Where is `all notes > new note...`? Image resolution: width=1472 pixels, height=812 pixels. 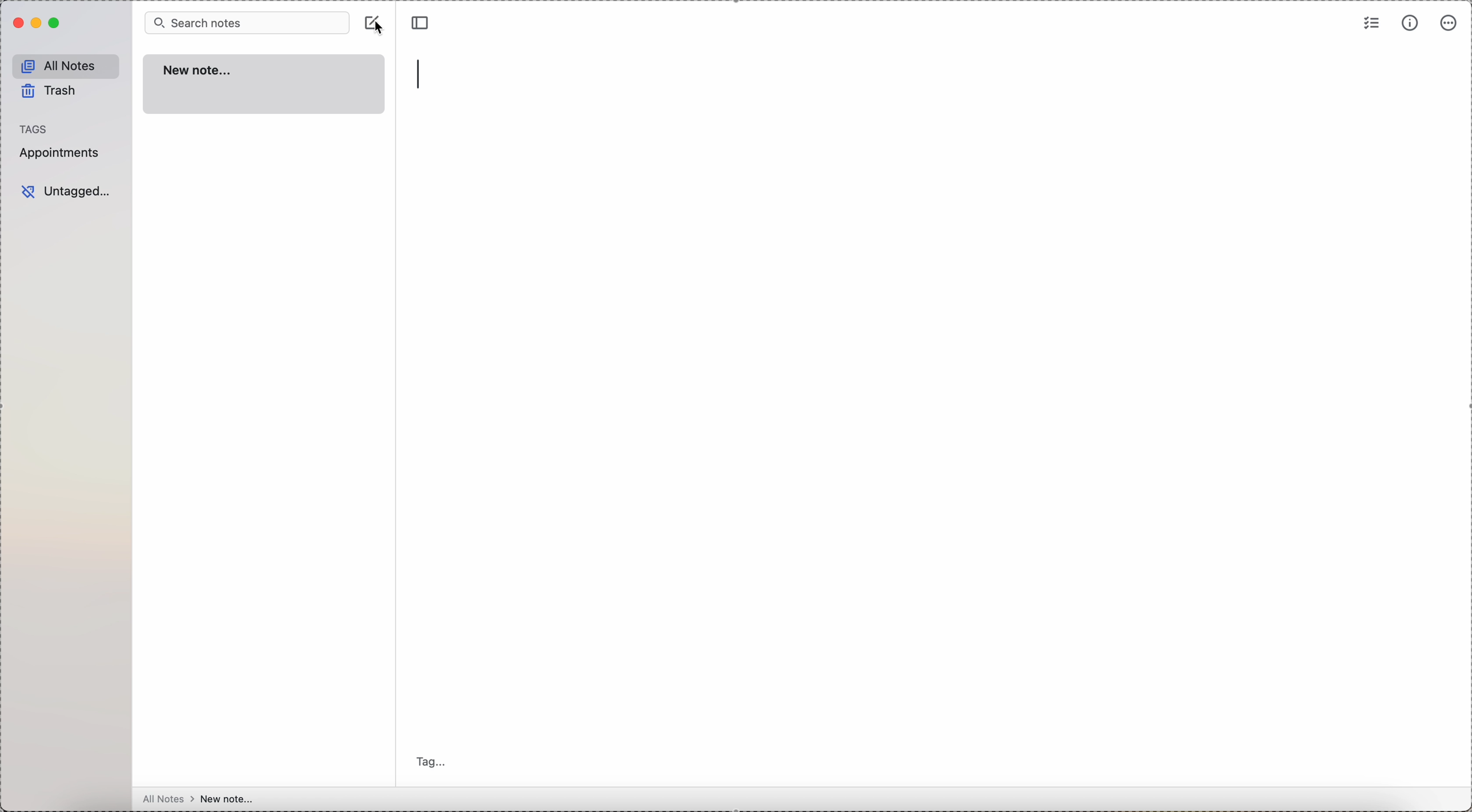
all notes > new note... is located at coordinates (199, 799).